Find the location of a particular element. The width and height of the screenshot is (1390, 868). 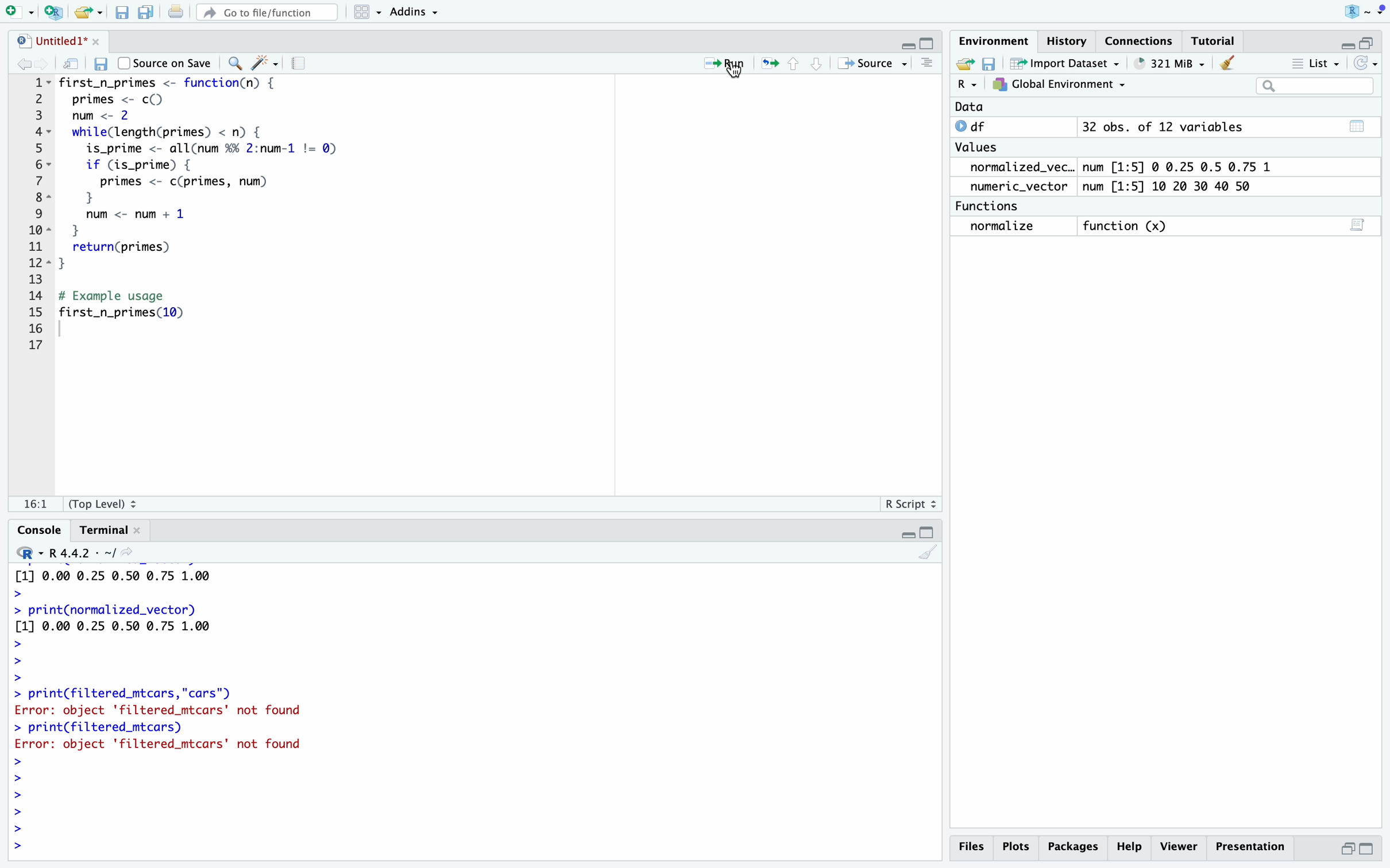

user is located at coordinates (1352, 10).